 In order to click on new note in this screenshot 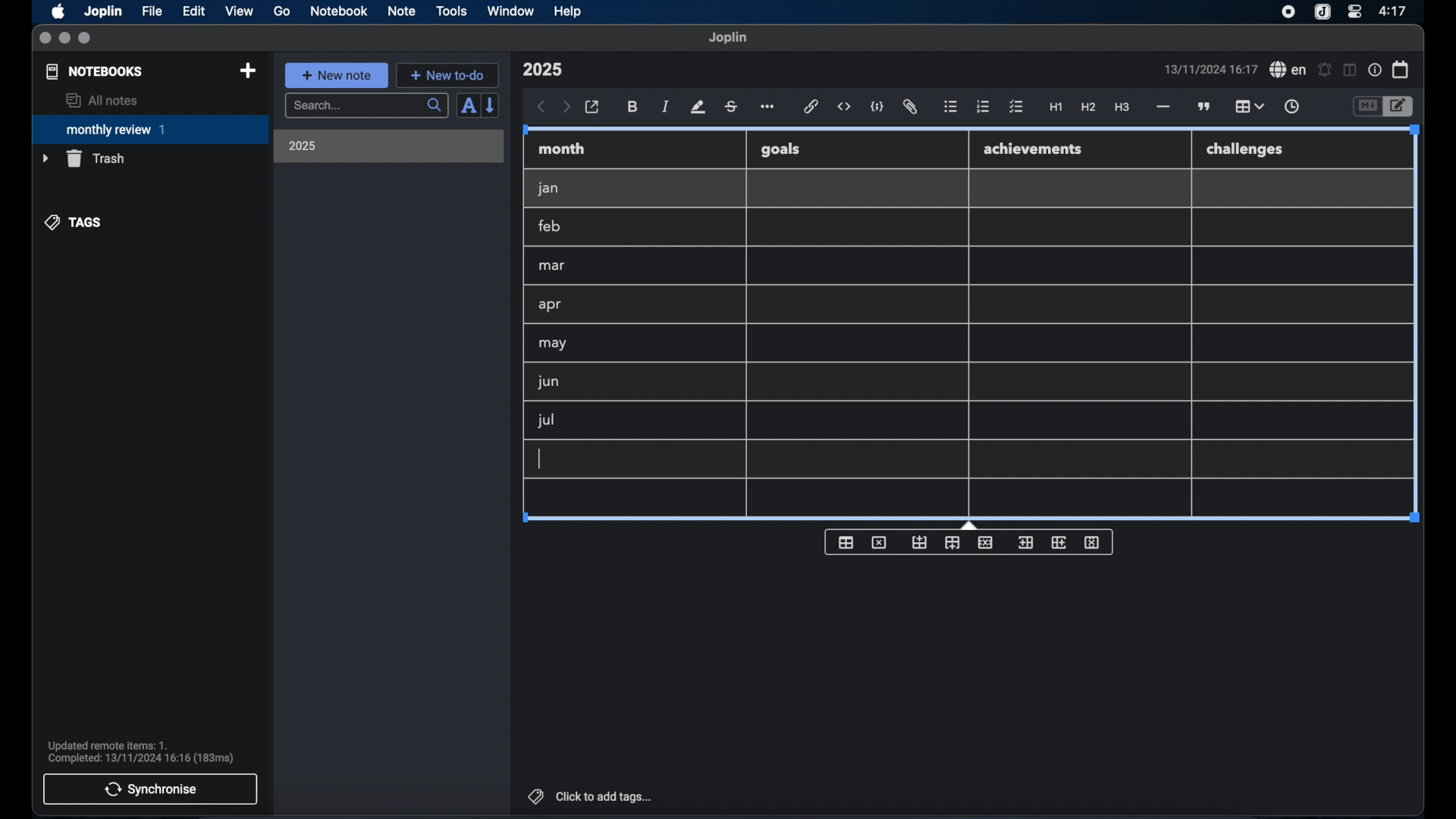, I will do `click(336, 75)`.